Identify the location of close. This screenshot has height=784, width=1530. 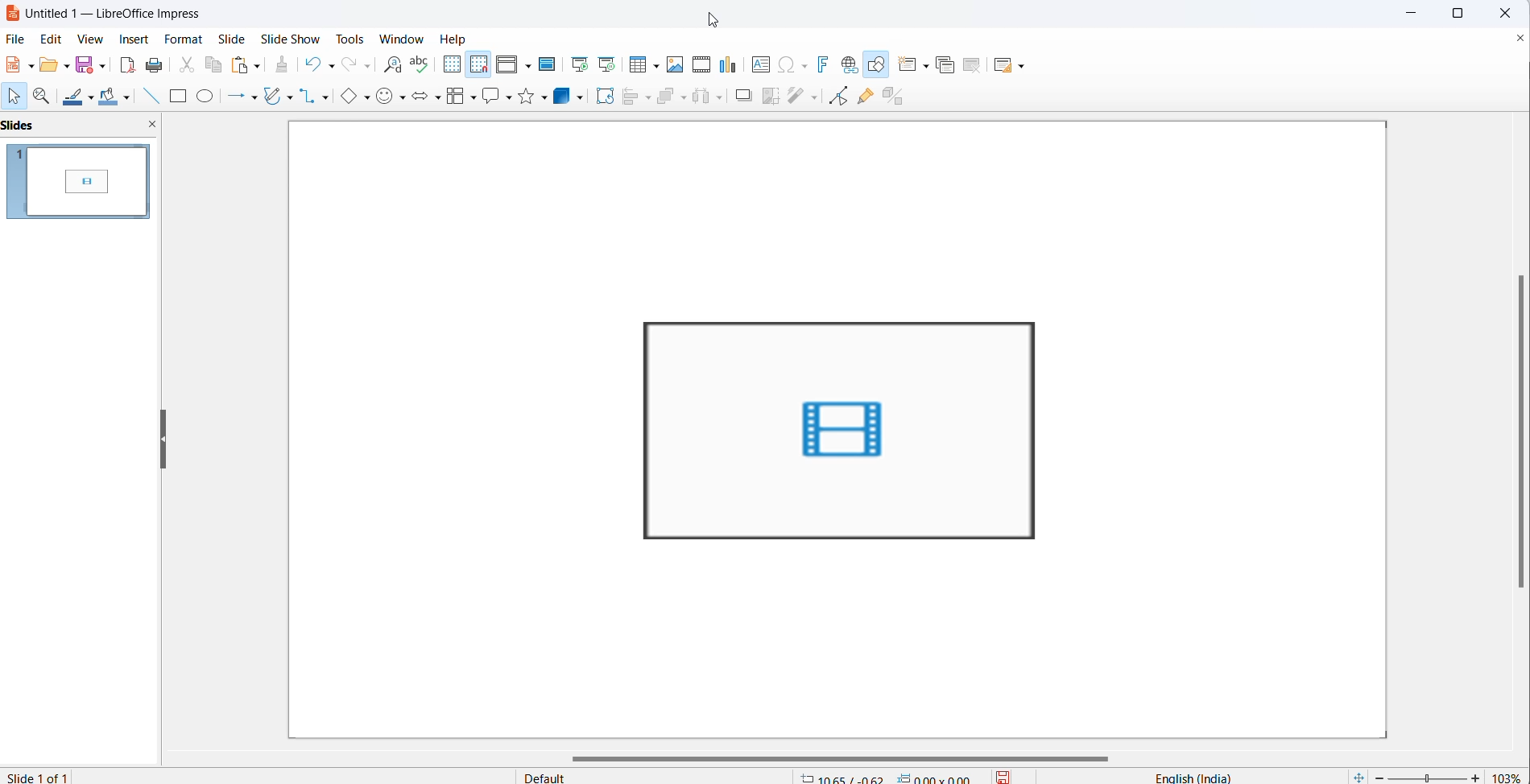
(1507, 13).